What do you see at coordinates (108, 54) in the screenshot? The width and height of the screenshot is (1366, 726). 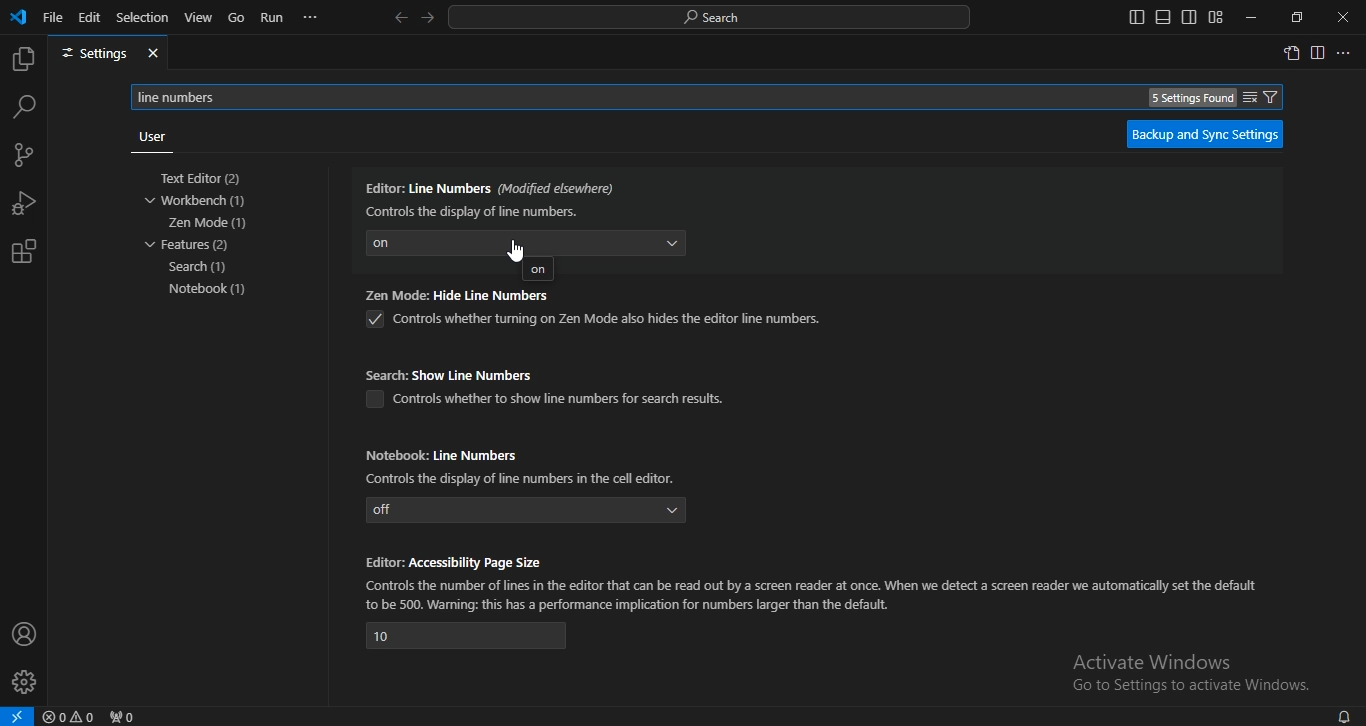 I see `settings` at bounding box center [108, 54].